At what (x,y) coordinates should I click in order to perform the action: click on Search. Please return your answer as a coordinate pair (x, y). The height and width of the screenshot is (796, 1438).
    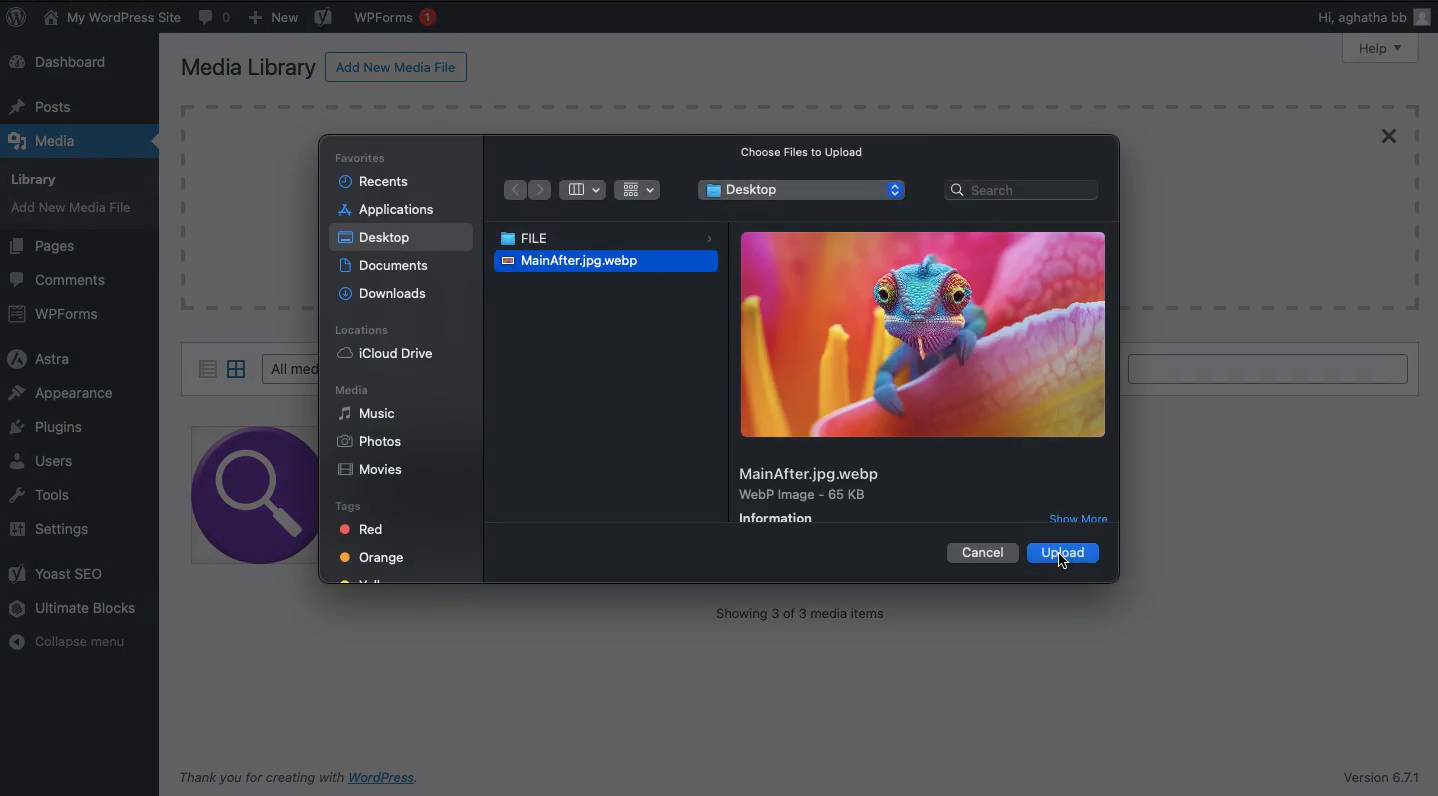
    Looking at the image, I should click on (1021, 191).